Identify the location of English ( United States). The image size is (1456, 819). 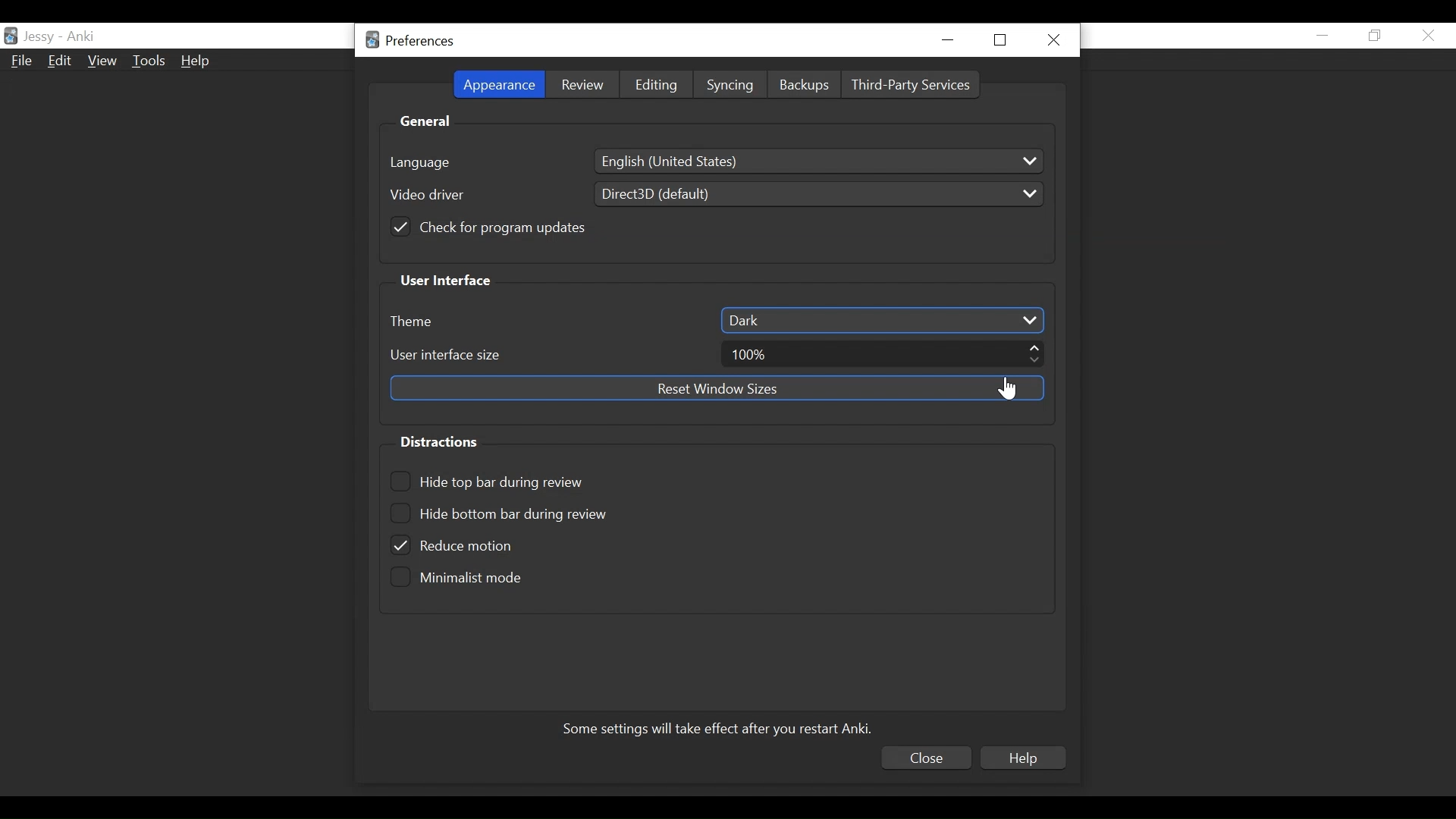
(821, 162).